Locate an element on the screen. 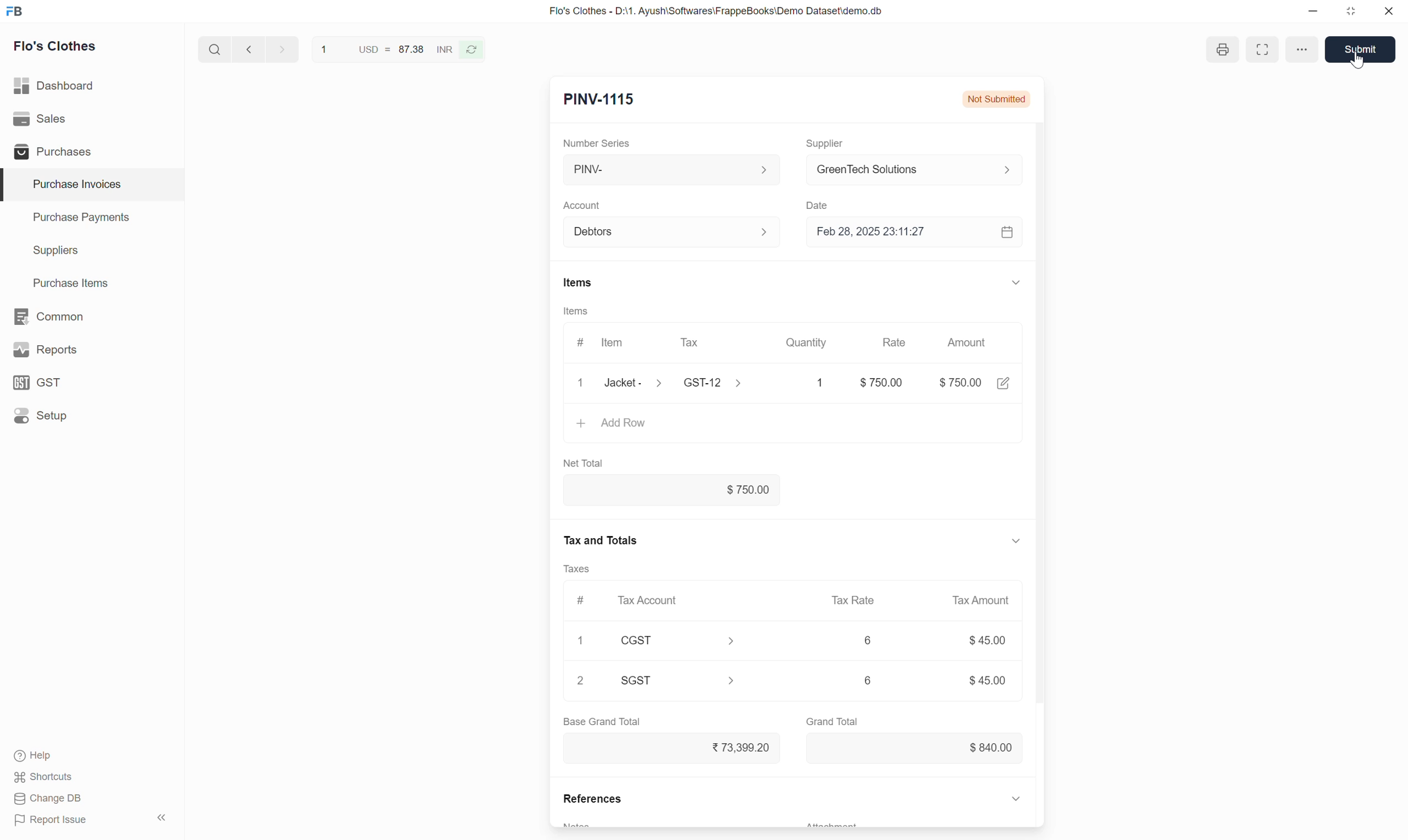 Image resolution: width=1408 pixels, height=840 pixels. Cursor is located at coordinates (1357, 61).